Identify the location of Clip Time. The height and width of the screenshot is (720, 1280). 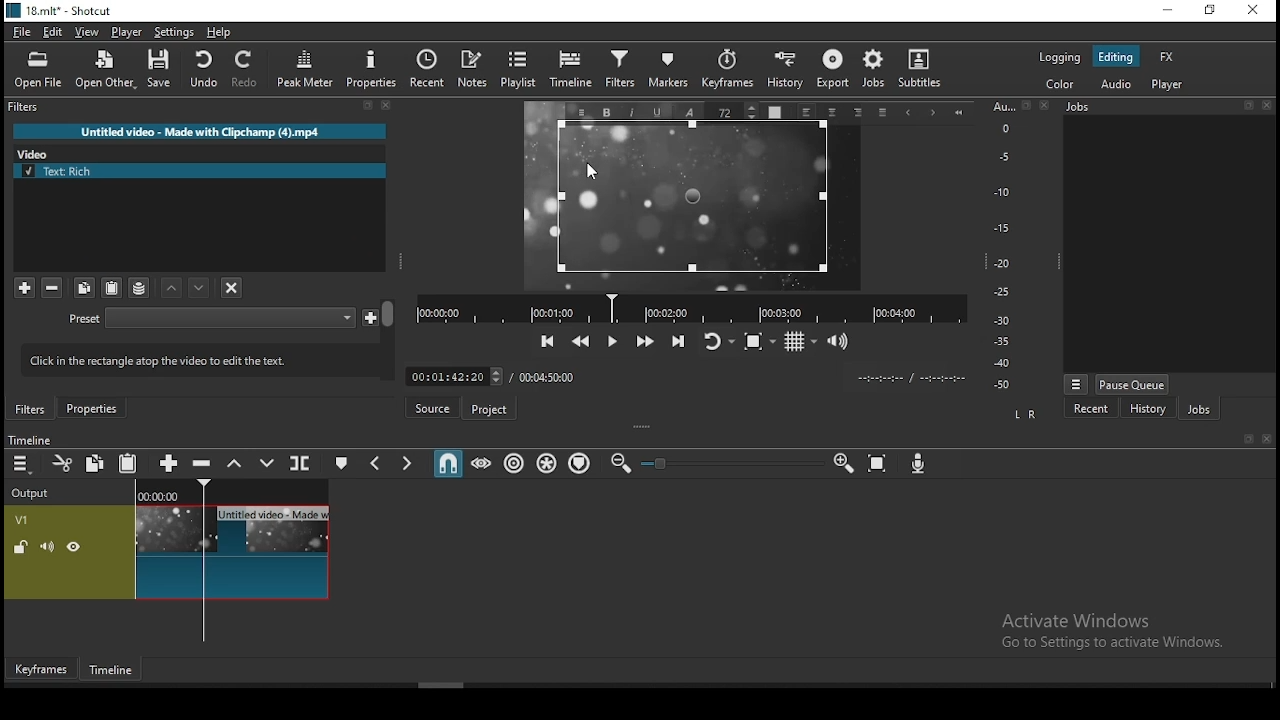
(910, 379).